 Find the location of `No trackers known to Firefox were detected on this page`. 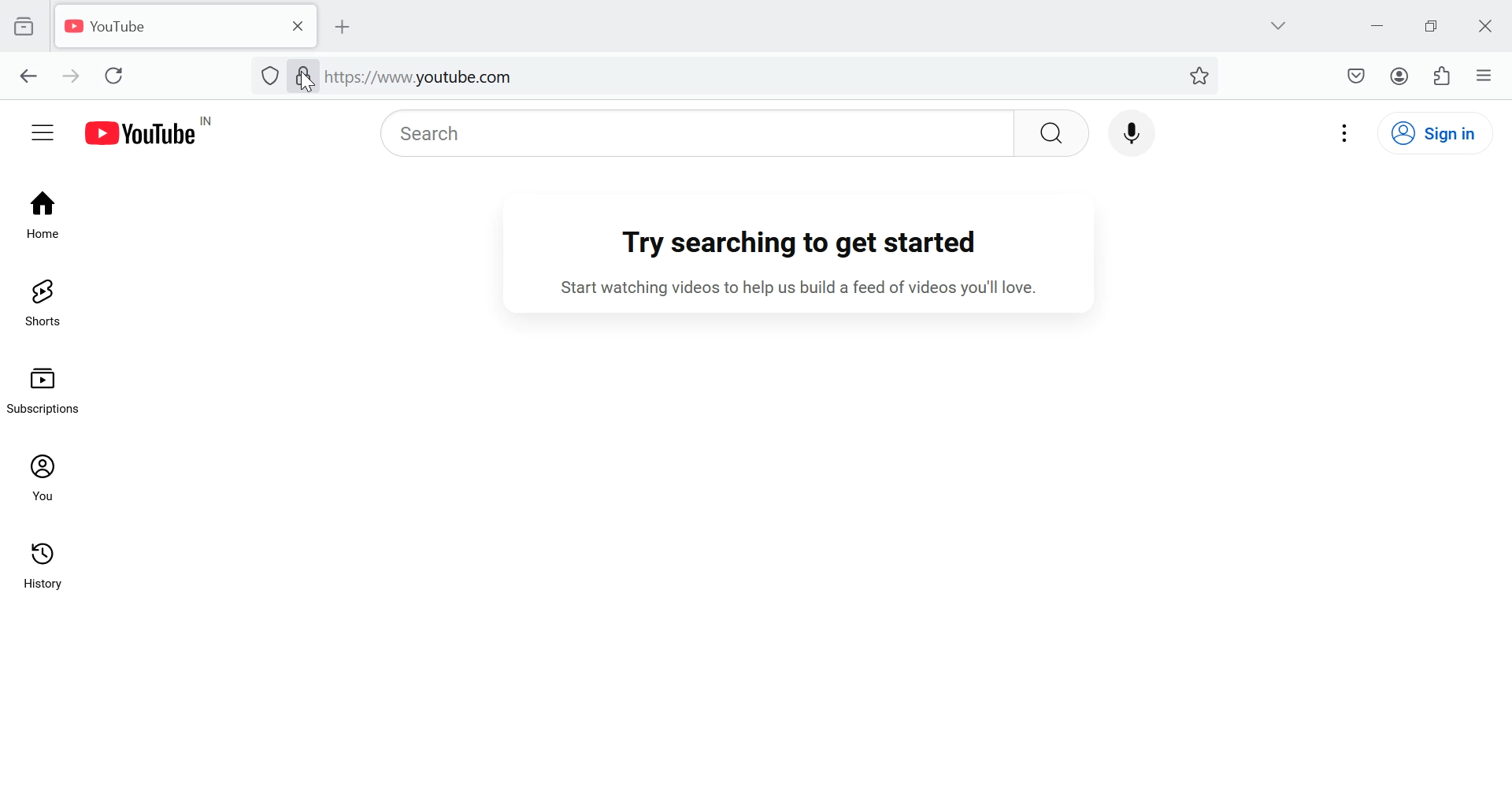

No trackers known to Firefox were detected on this page is located at coordinates (269, 74).